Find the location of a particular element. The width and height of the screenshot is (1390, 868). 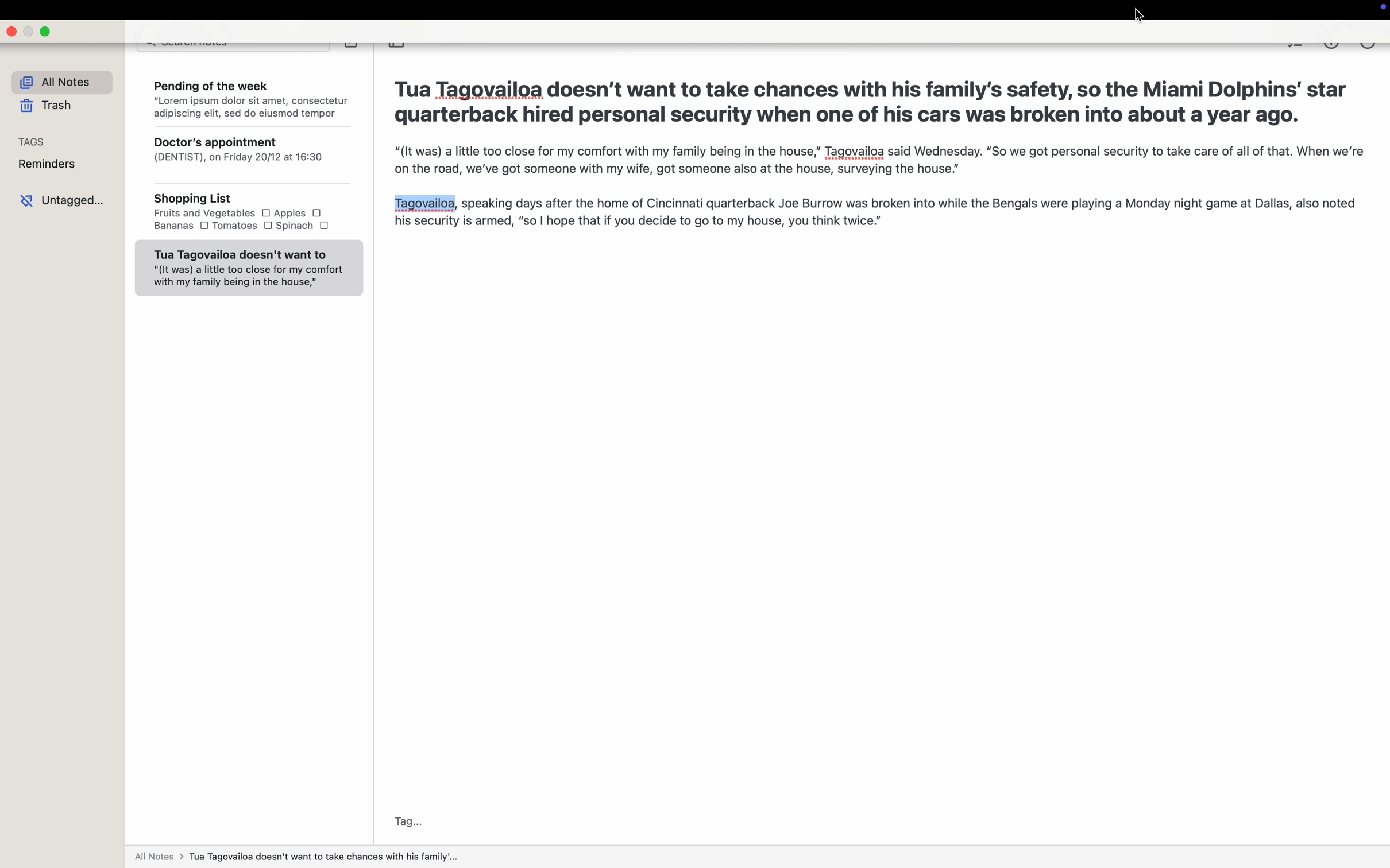

LUOCTOr's appointment
(DENTIST), on Friday 20/12 at 16:30 is located at coordinates (248, 157).